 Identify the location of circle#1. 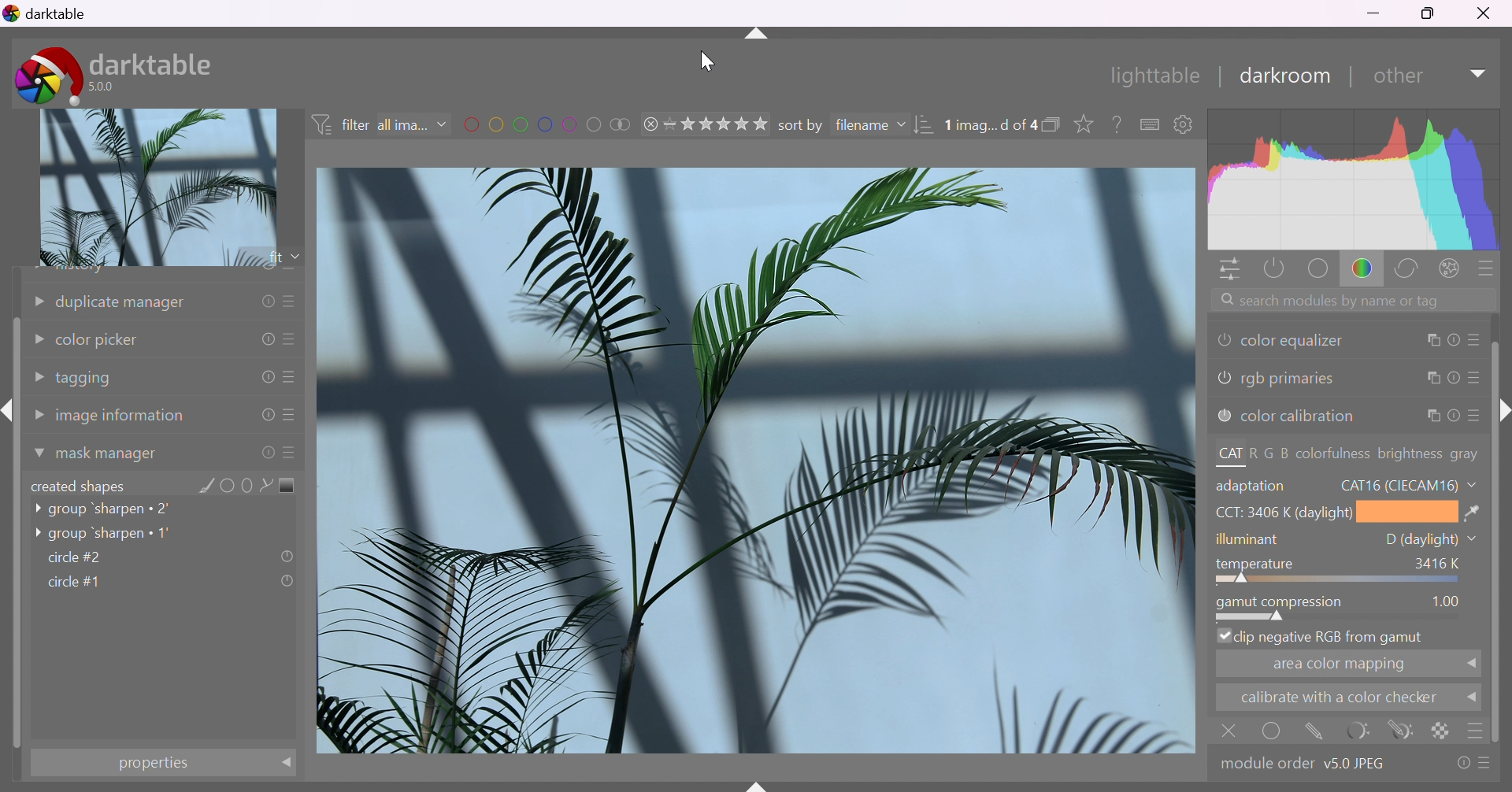
(173, 580).